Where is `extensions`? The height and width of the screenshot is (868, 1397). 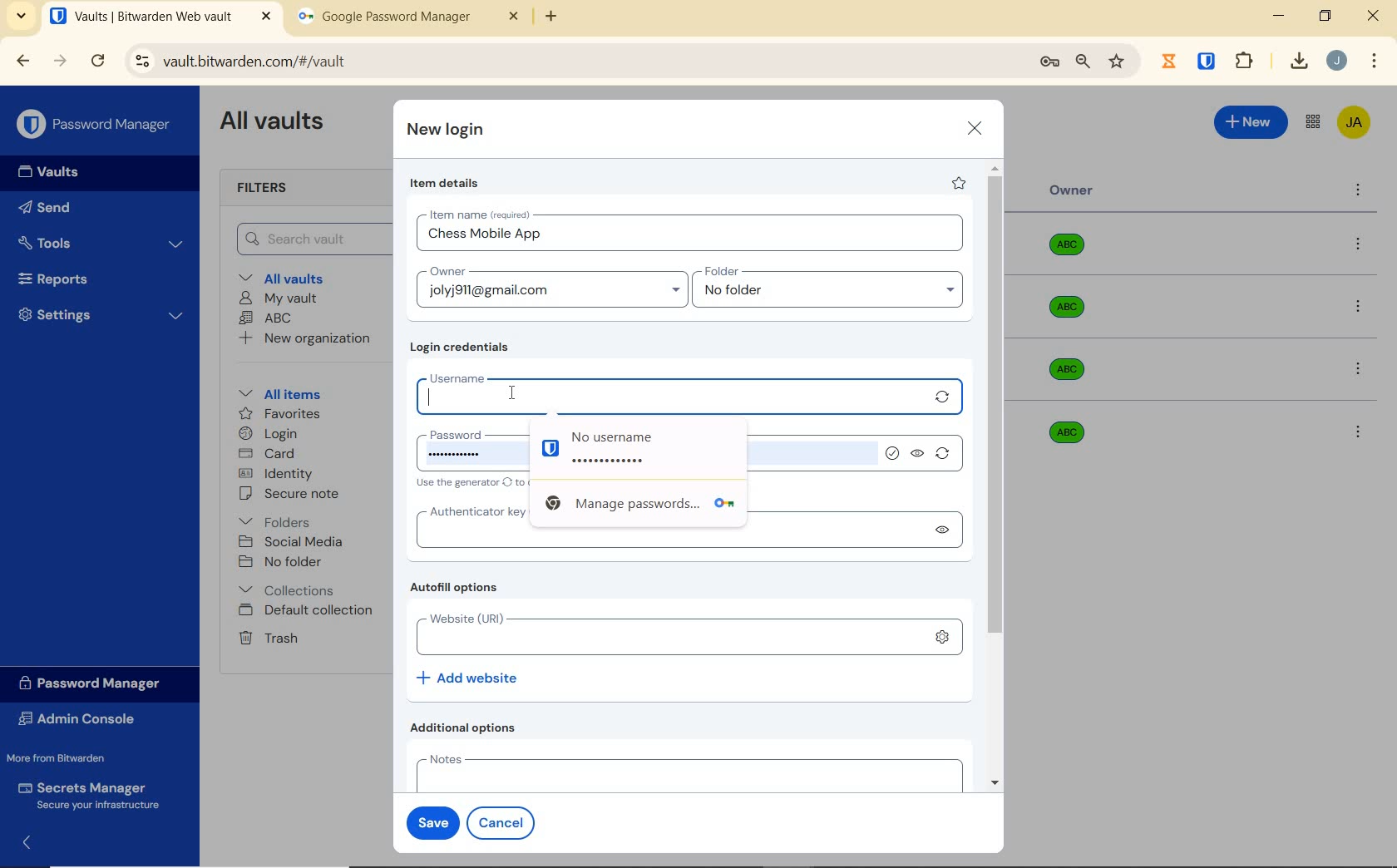
extensions is located at coordinates (1208, 60).